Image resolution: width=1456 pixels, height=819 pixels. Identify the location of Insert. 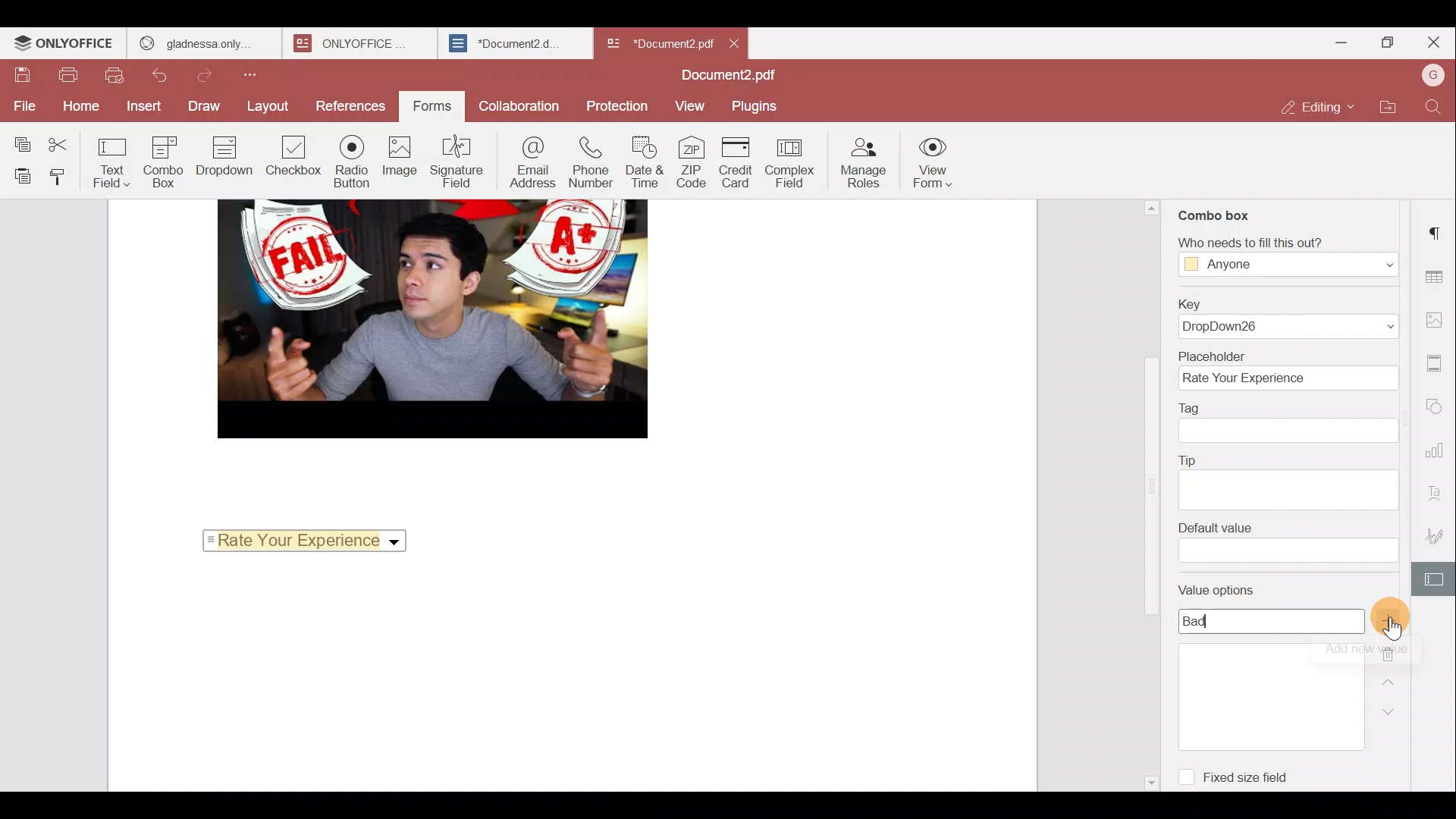
(140, 106).